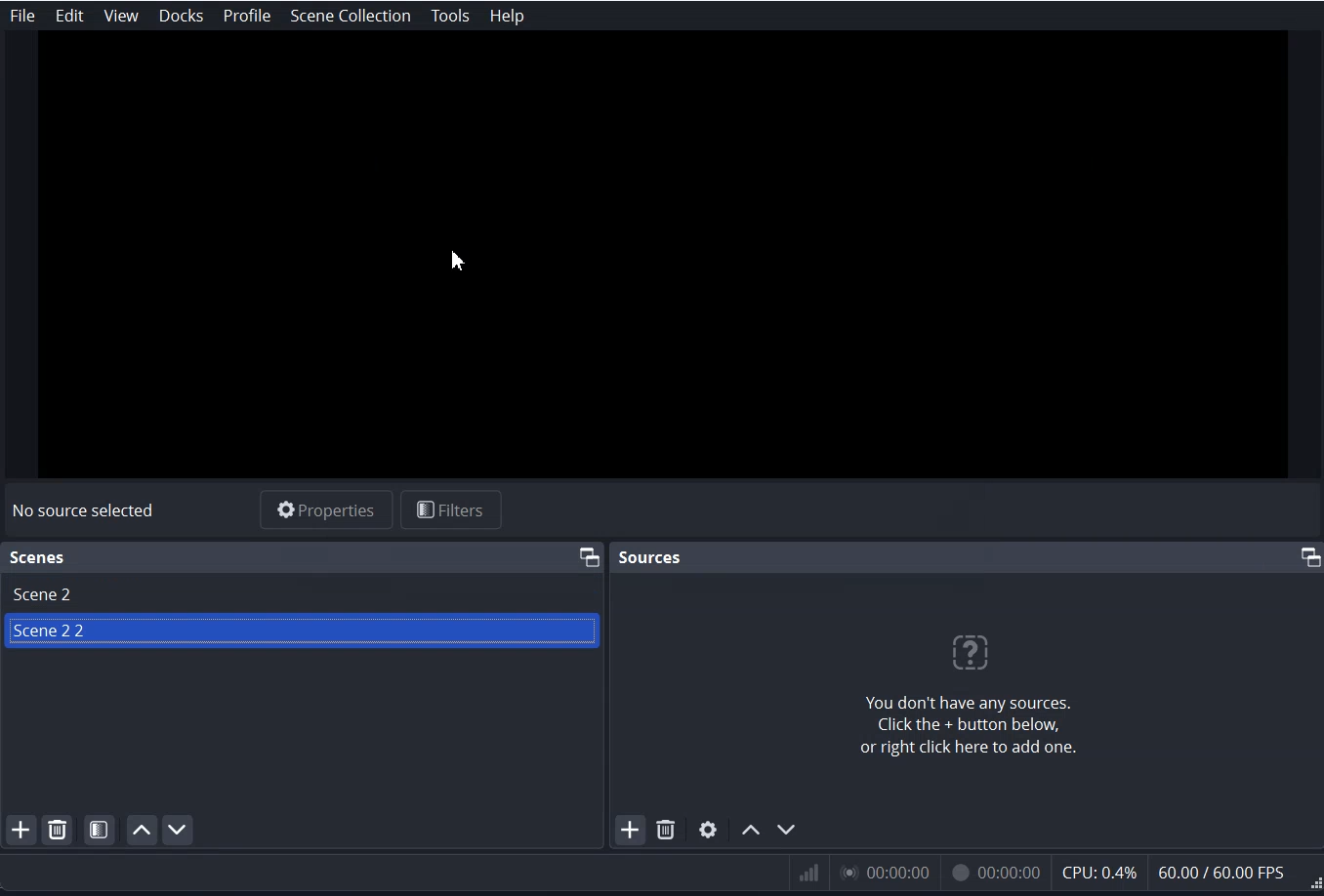 The width and height of the screenshot is (1324, 896). I want to click on Open Scene Filter, so click(100, 830).